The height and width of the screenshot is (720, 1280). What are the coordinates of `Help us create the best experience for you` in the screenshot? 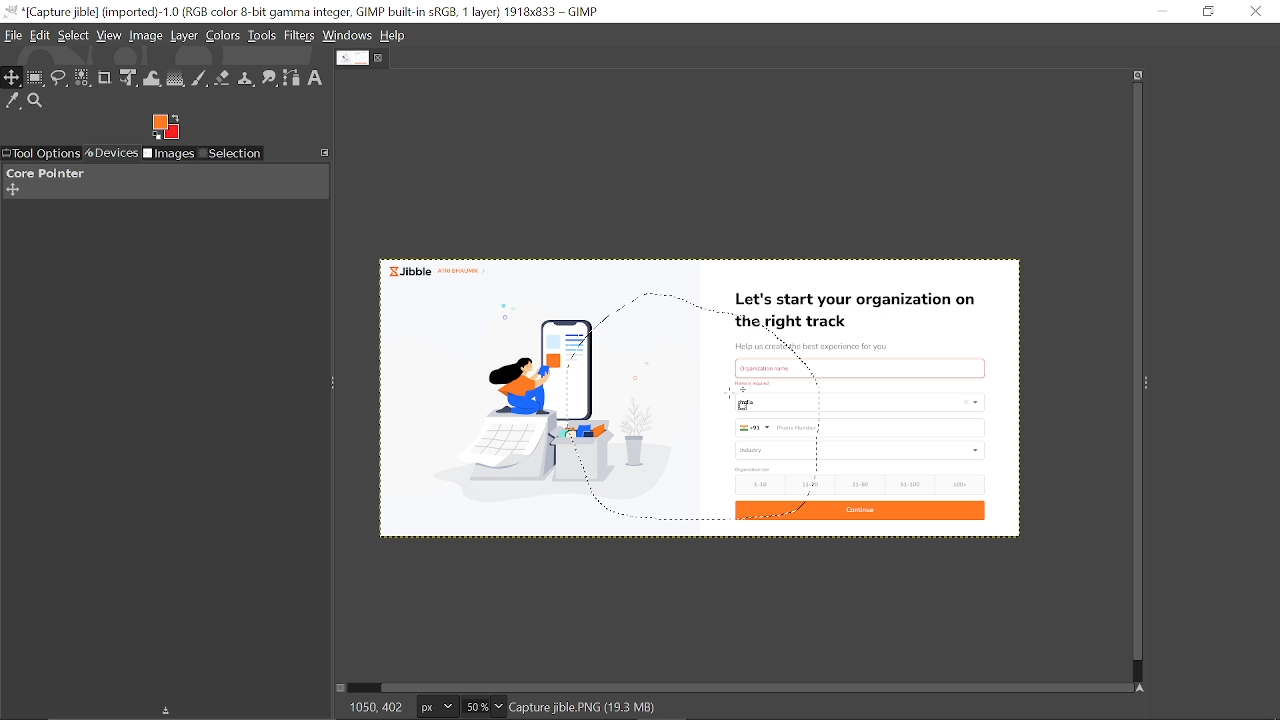 It's located at (811, 347).